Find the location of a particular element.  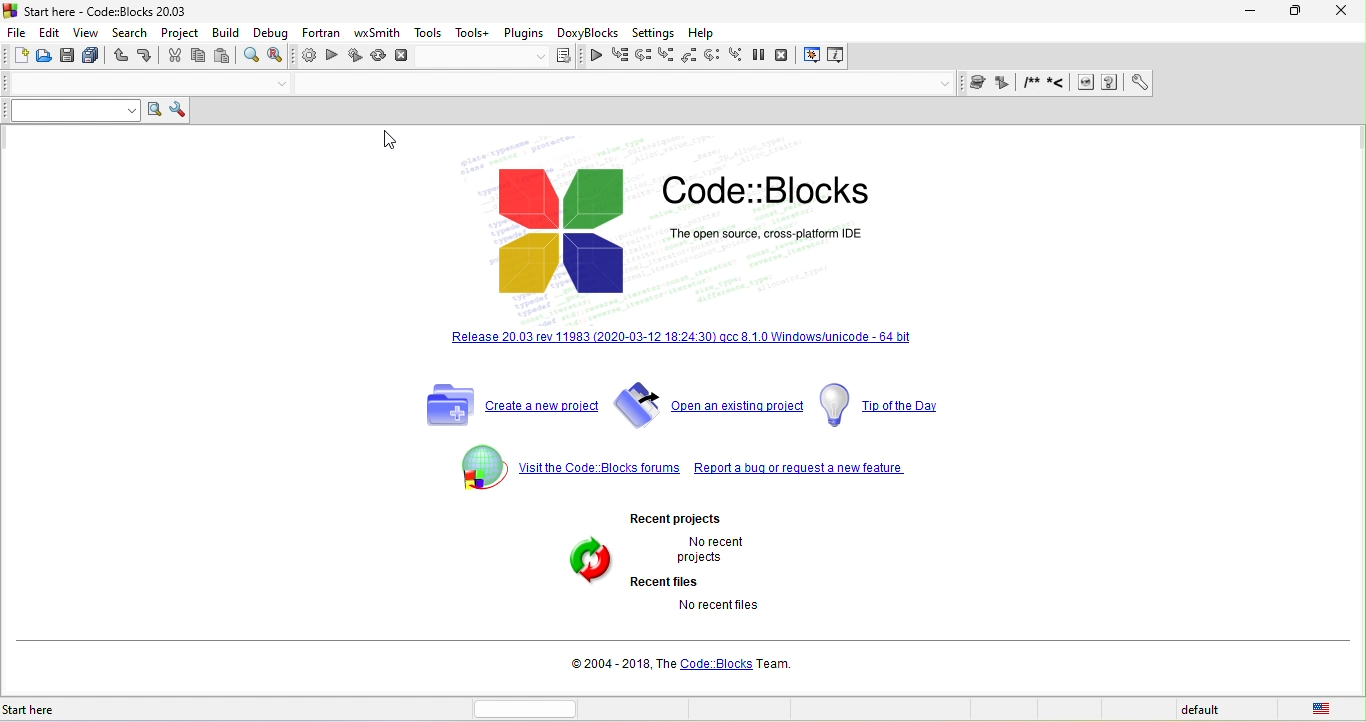

new is located at coordinates (19, 57).